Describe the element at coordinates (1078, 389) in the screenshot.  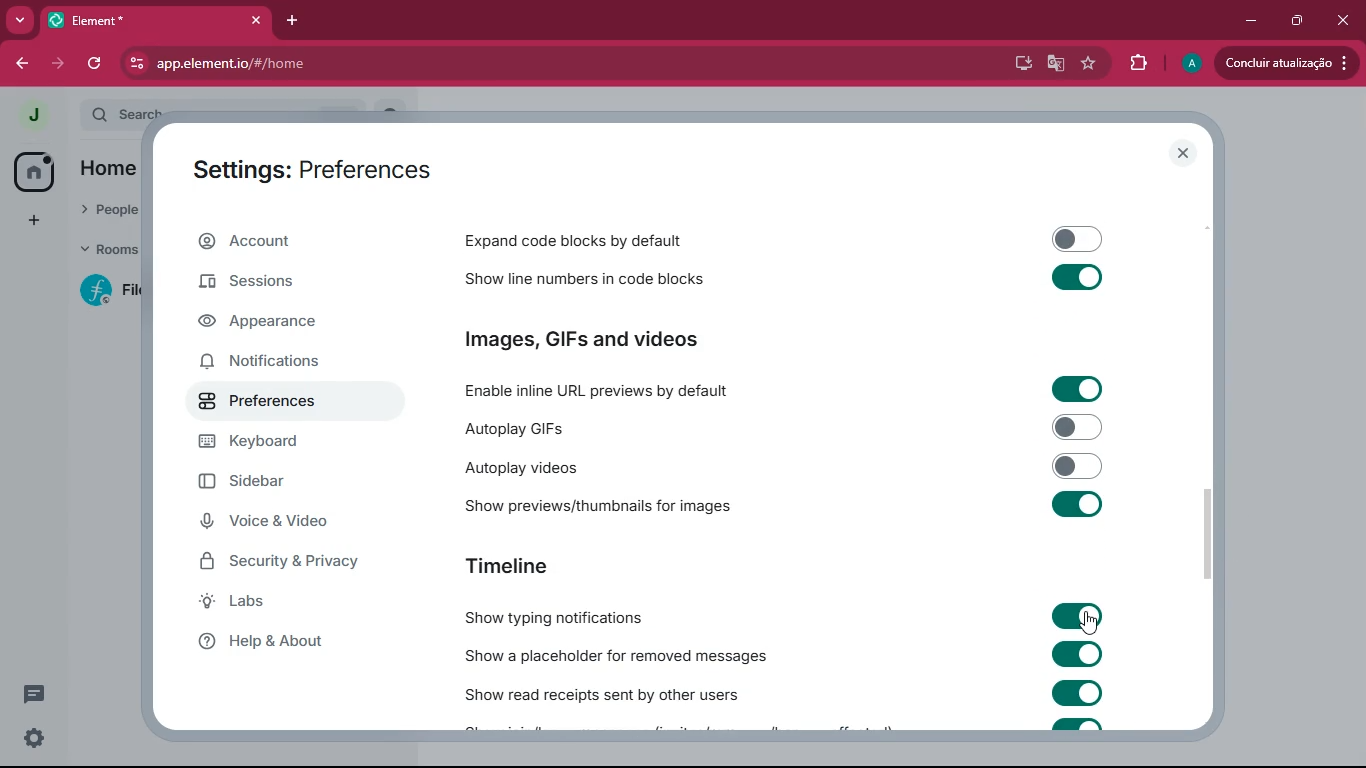
I see `toggle on/off` at that location.